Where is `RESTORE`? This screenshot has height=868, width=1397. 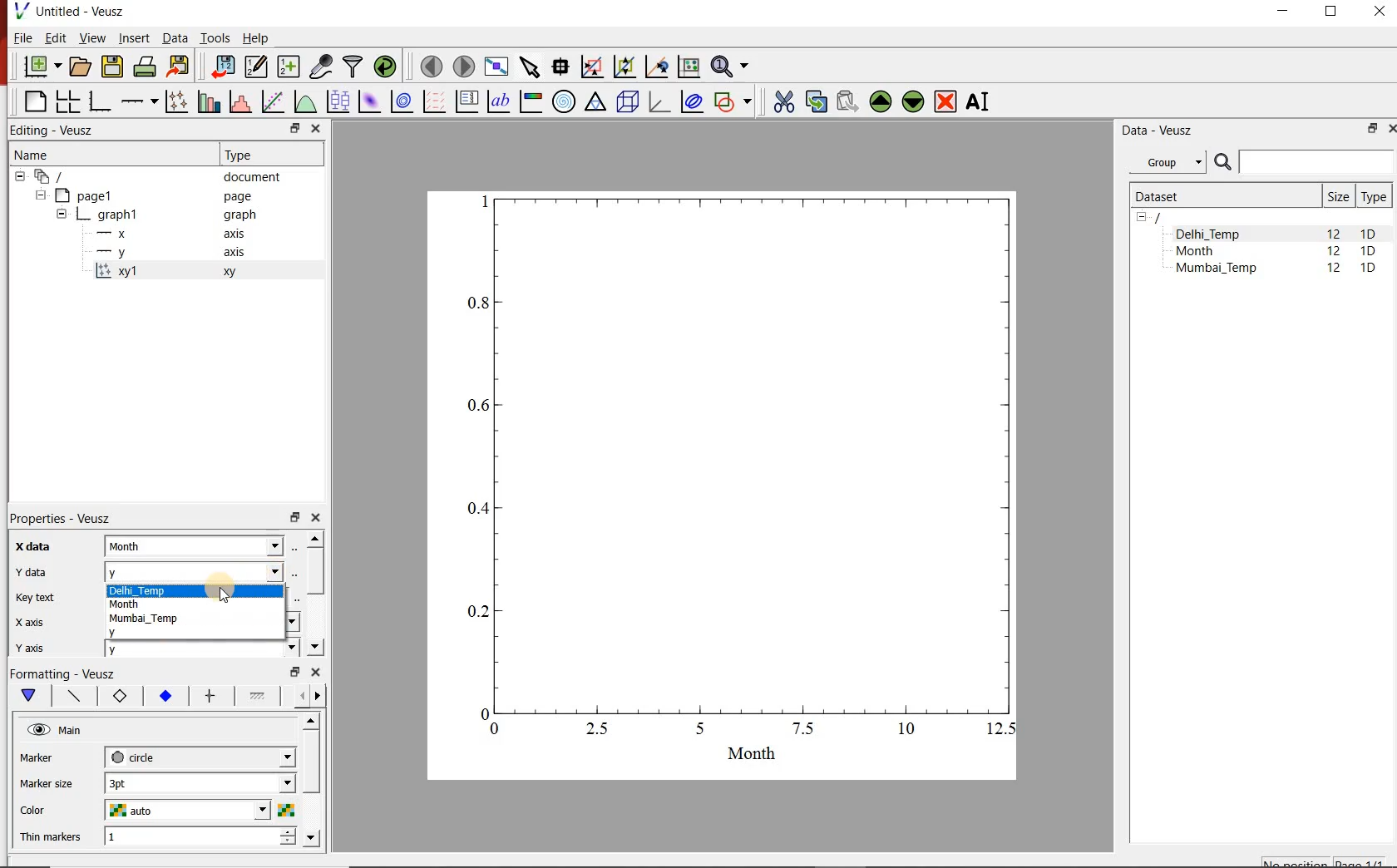 RESTORE is located at coordinates (1373, 129).